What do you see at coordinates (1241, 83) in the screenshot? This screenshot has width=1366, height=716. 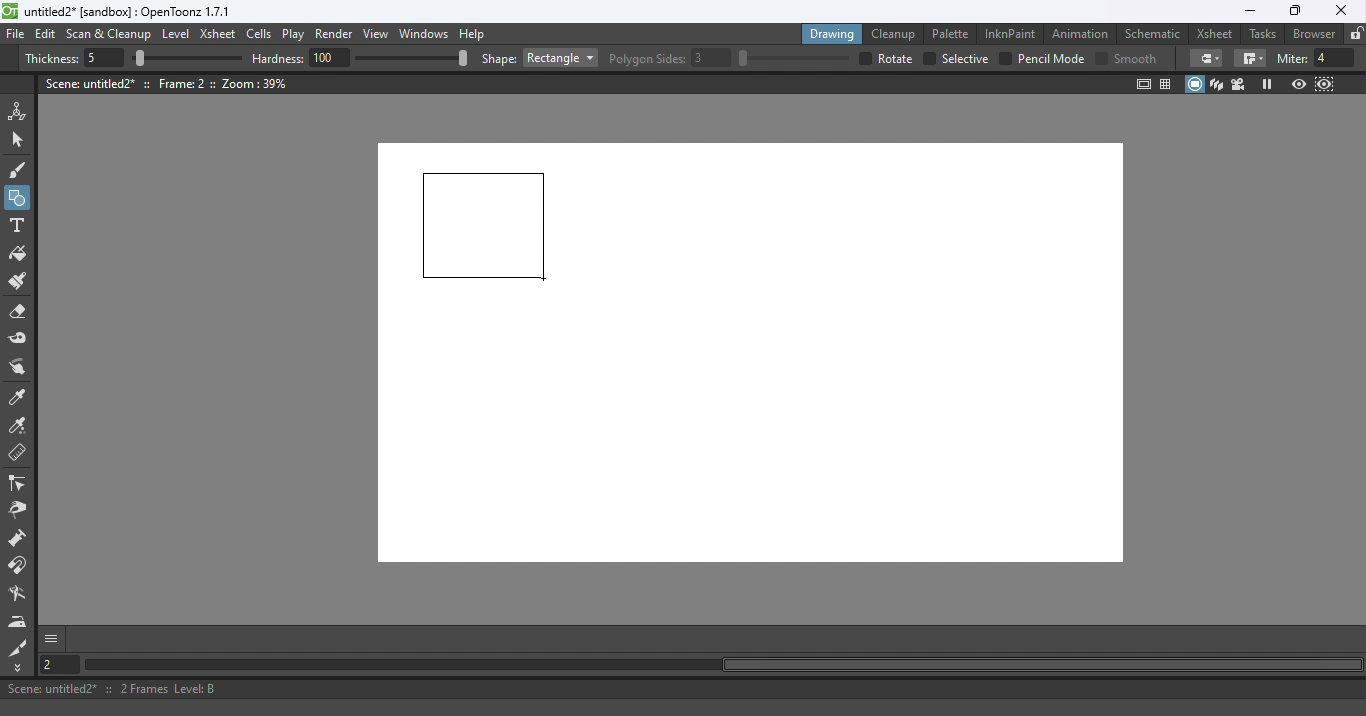 I see `Camera view` at bounding box center [1241, 83].